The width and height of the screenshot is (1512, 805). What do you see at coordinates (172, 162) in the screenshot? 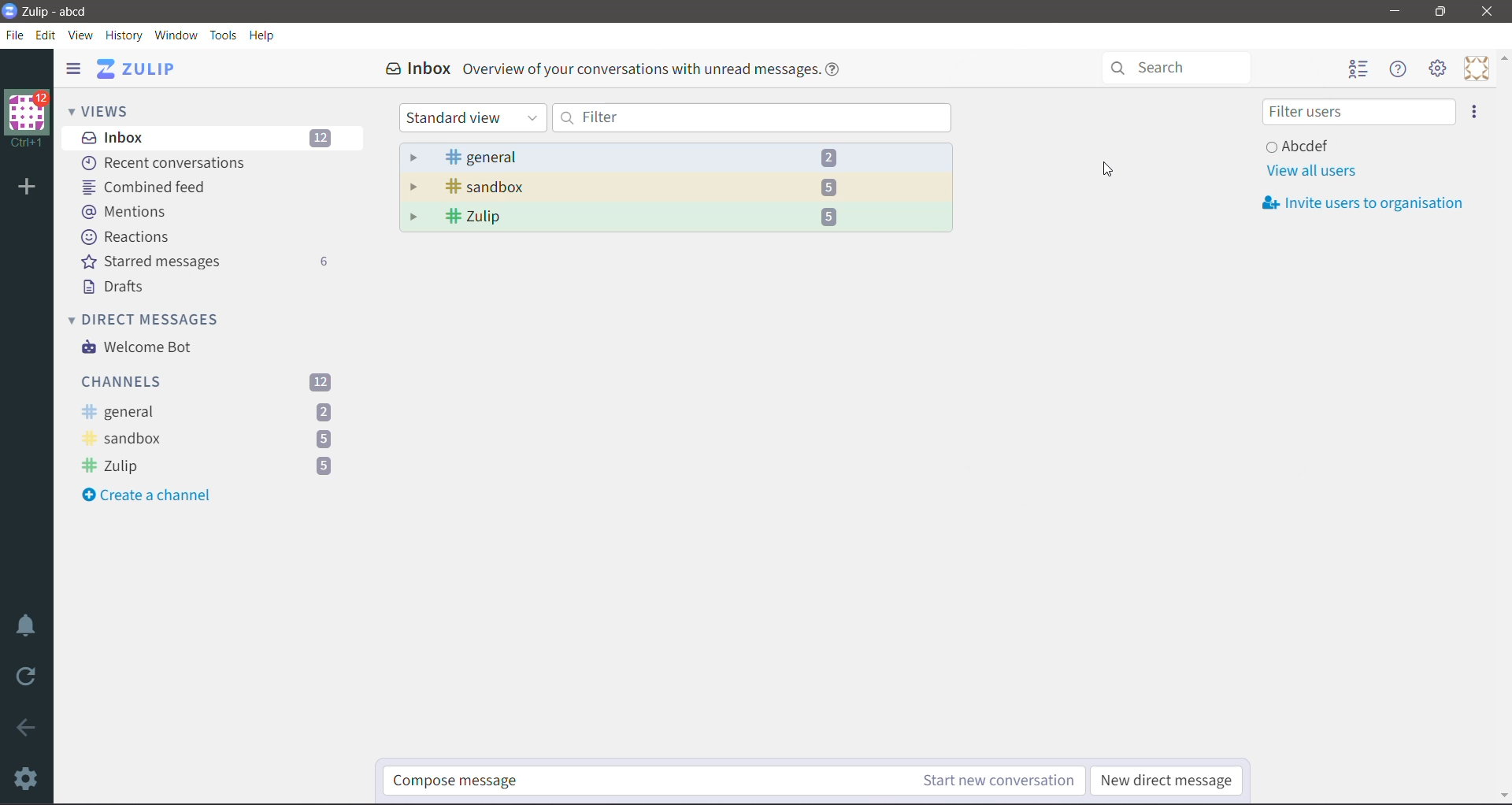
I see `Recent Conversations` at bounding box center [172, 162].